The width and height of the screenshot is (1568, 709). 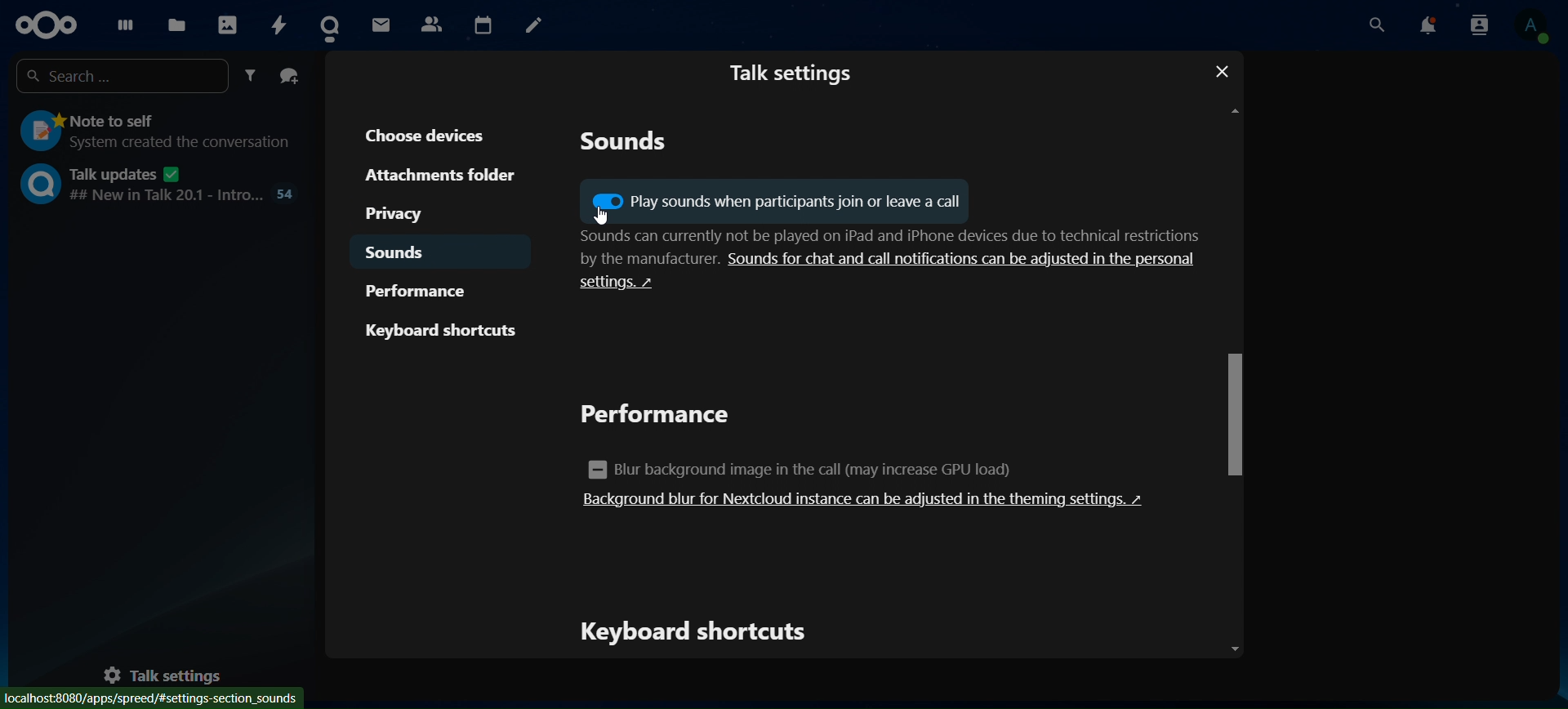 I want to click on filter, so click(x=251, y=77).